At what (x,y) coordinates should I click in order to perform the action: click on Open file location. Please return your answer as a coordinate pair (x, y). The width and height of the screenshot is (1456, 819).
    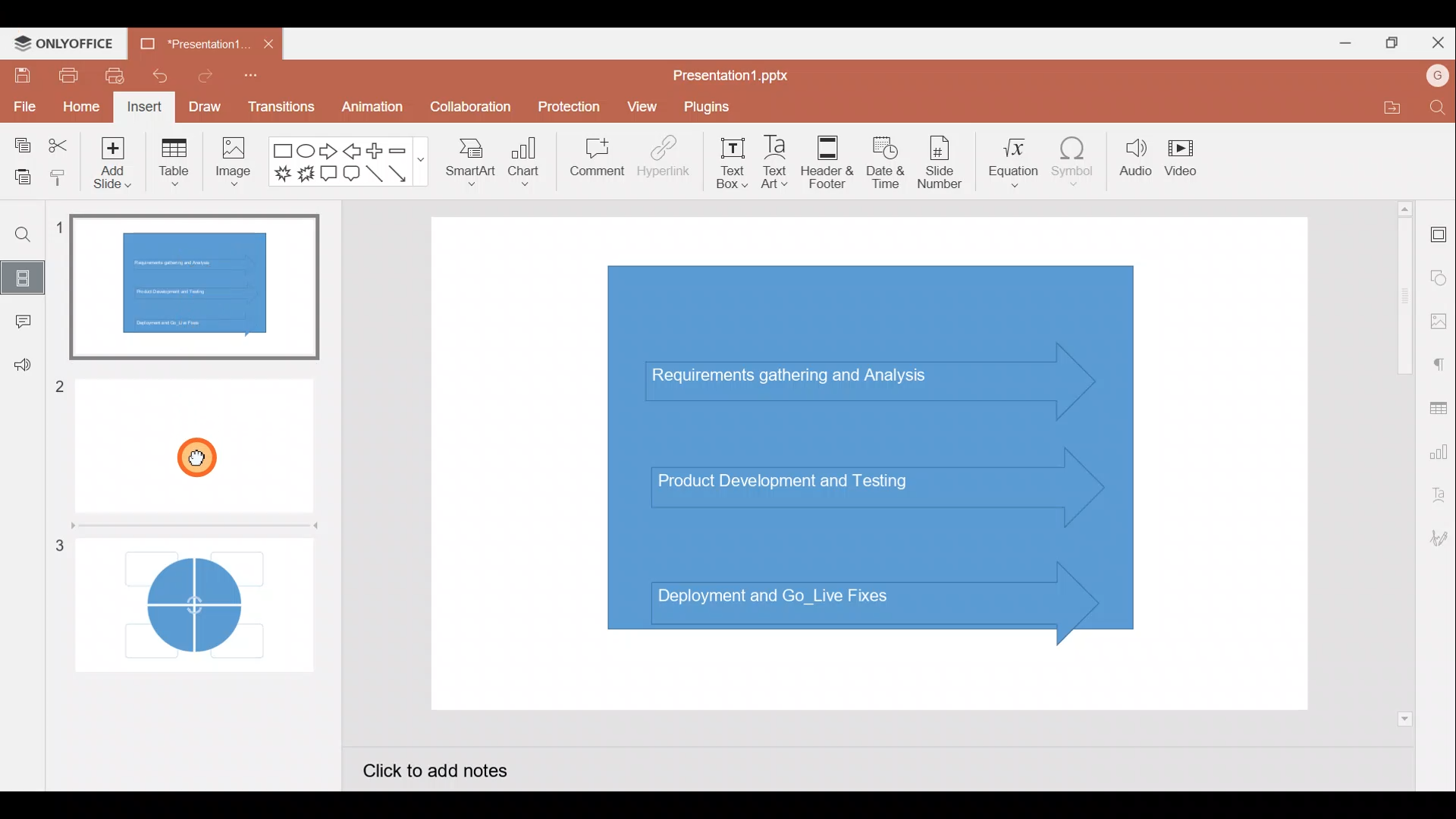
    Looking at the image, I should click on (1382, 107).